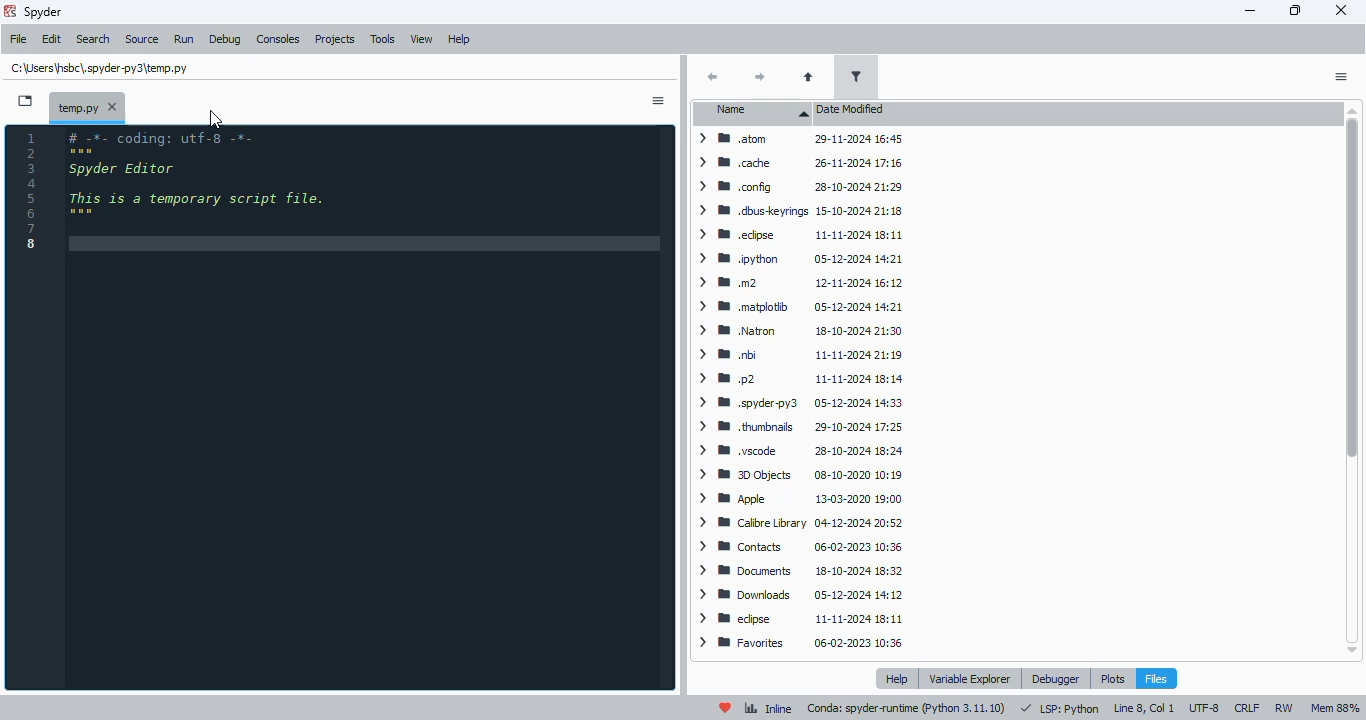  Describe the element at coordinates (795, 522) in the screenshot. I see `> BB Calibre Library 04-12-2024 20:52` at that location.